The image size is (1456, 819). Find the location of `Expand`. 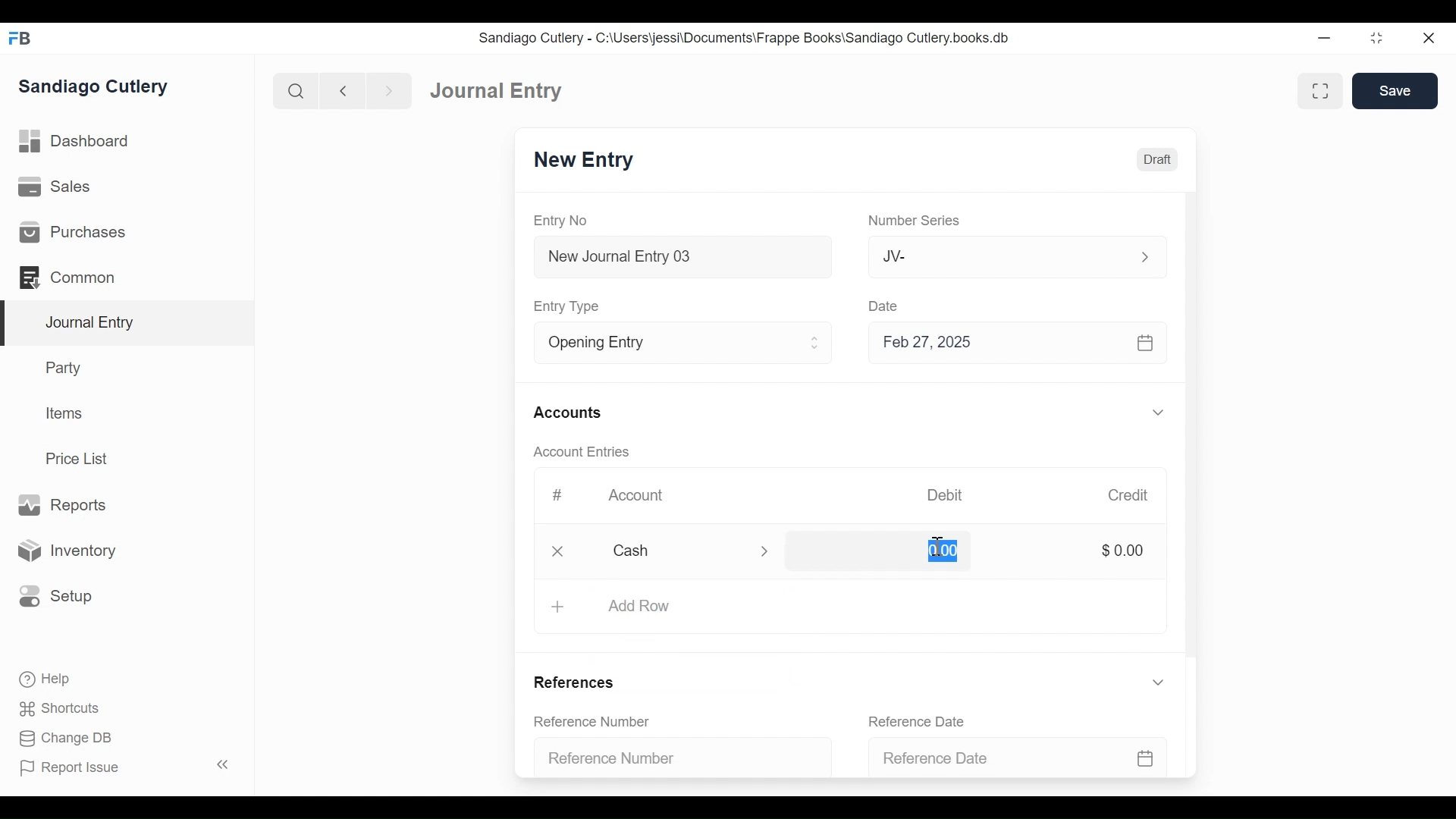

Expand is located at coordinates (816, 344).